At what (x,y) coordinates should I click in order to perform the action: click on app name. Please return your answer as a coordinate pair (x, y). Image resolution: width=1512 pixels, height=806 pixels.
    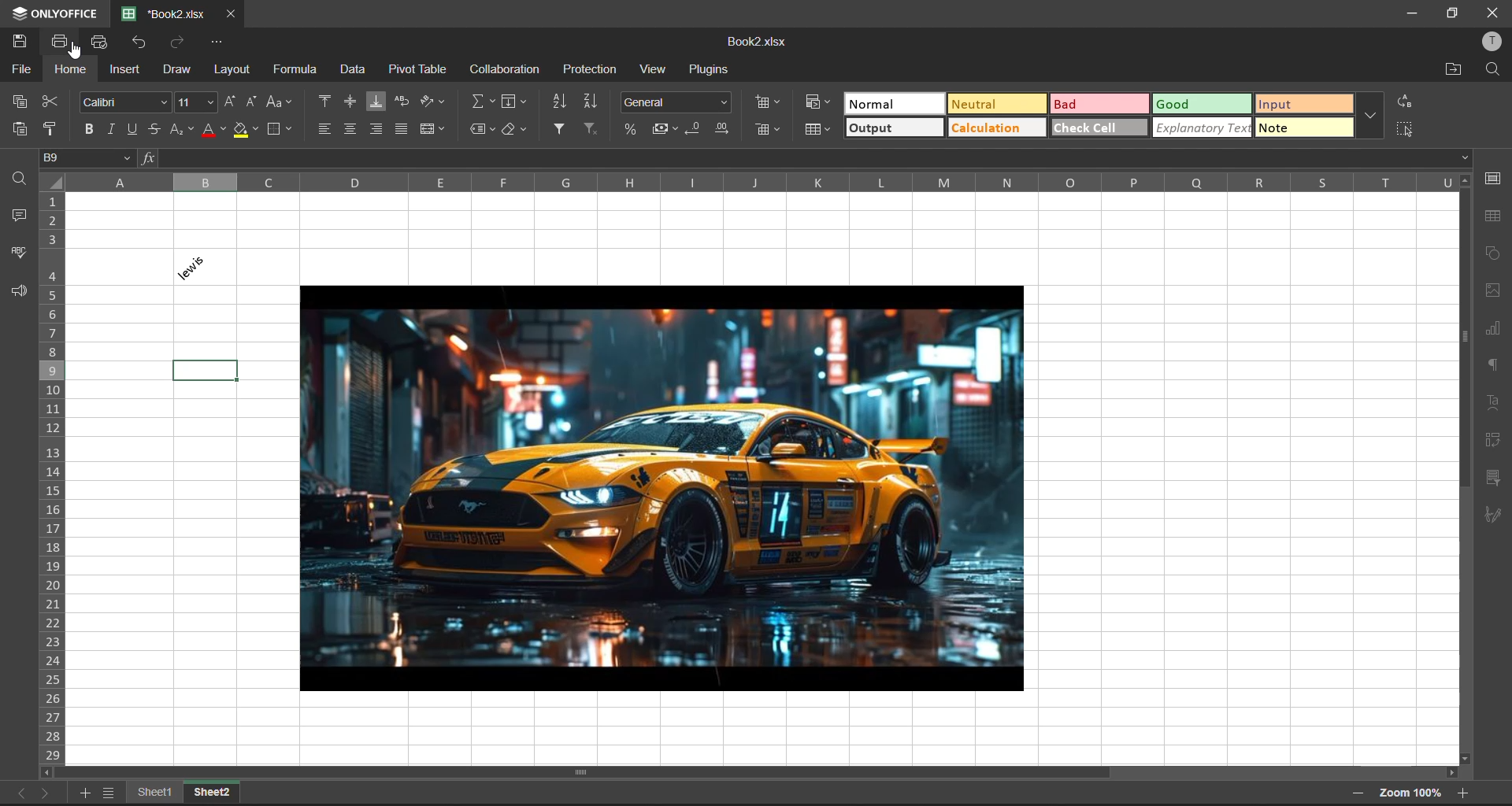
    Looking at the image, I should click on (52, 11).